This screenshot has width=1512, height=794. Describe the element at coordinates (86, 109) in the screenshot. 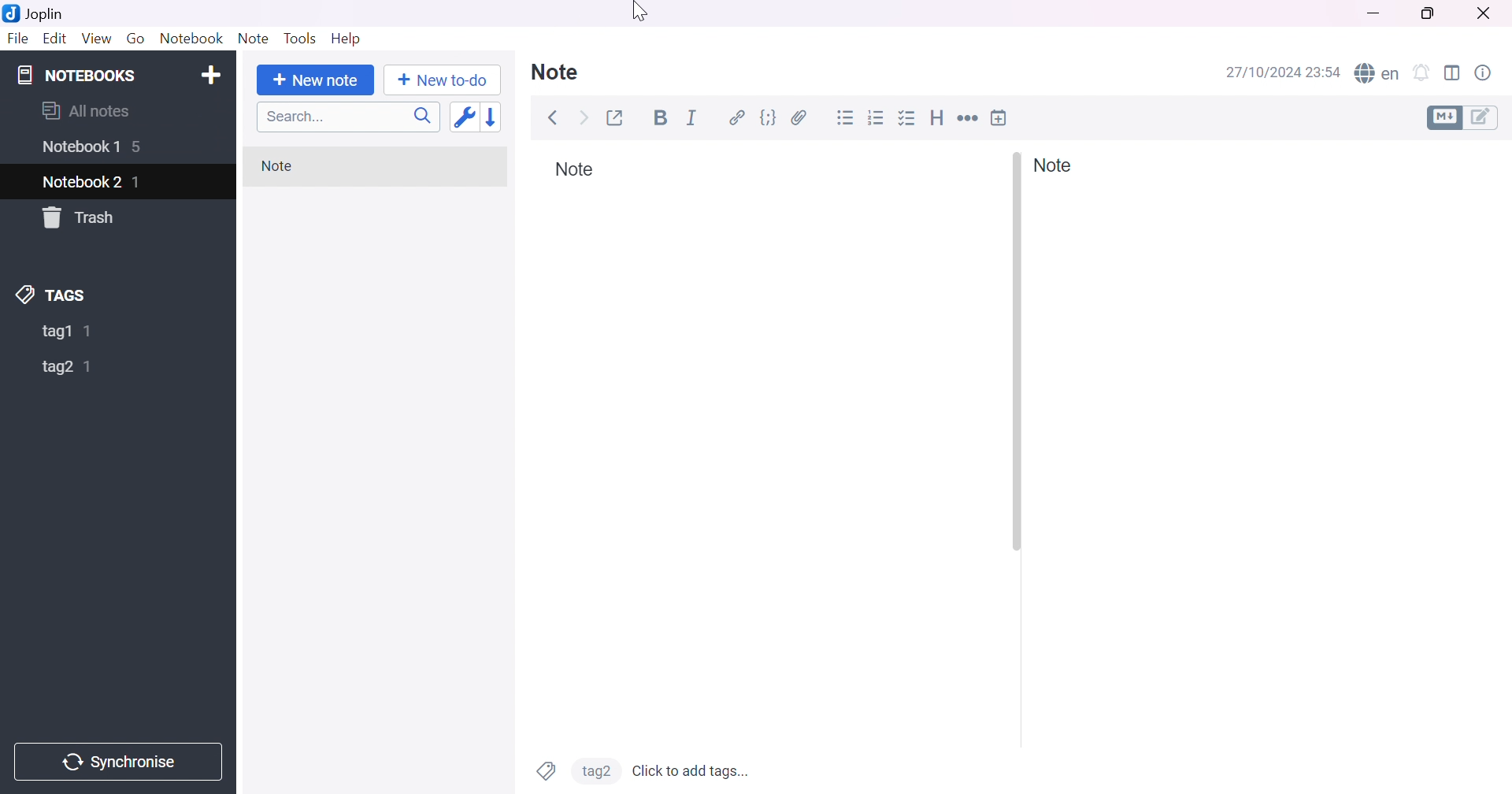

I see `All notes` at that location.